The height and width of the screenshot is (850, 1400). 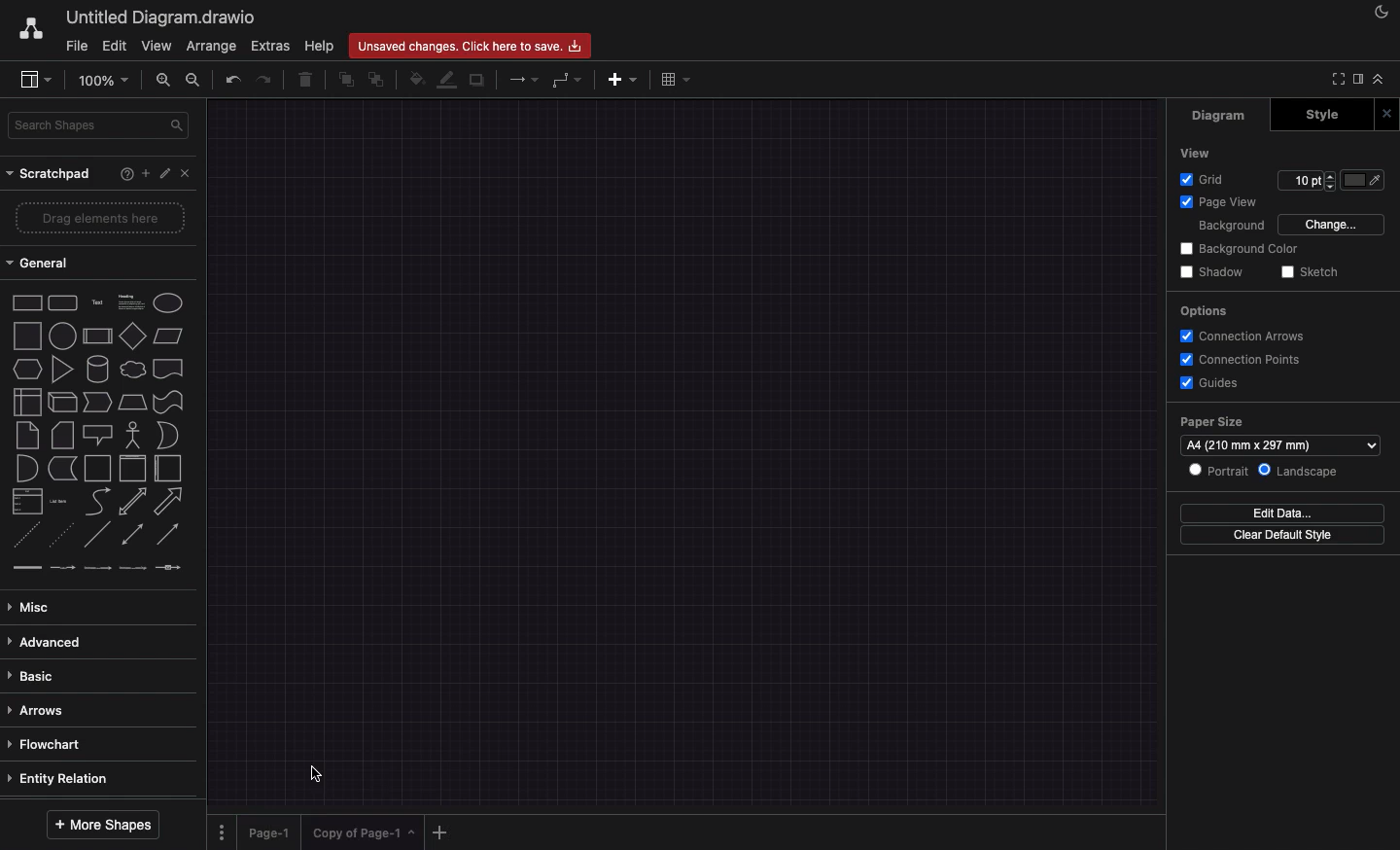 What do you see at coordinates (133, 370) in the screenshot?
I see `cloud` at bounding box center [133, 370].